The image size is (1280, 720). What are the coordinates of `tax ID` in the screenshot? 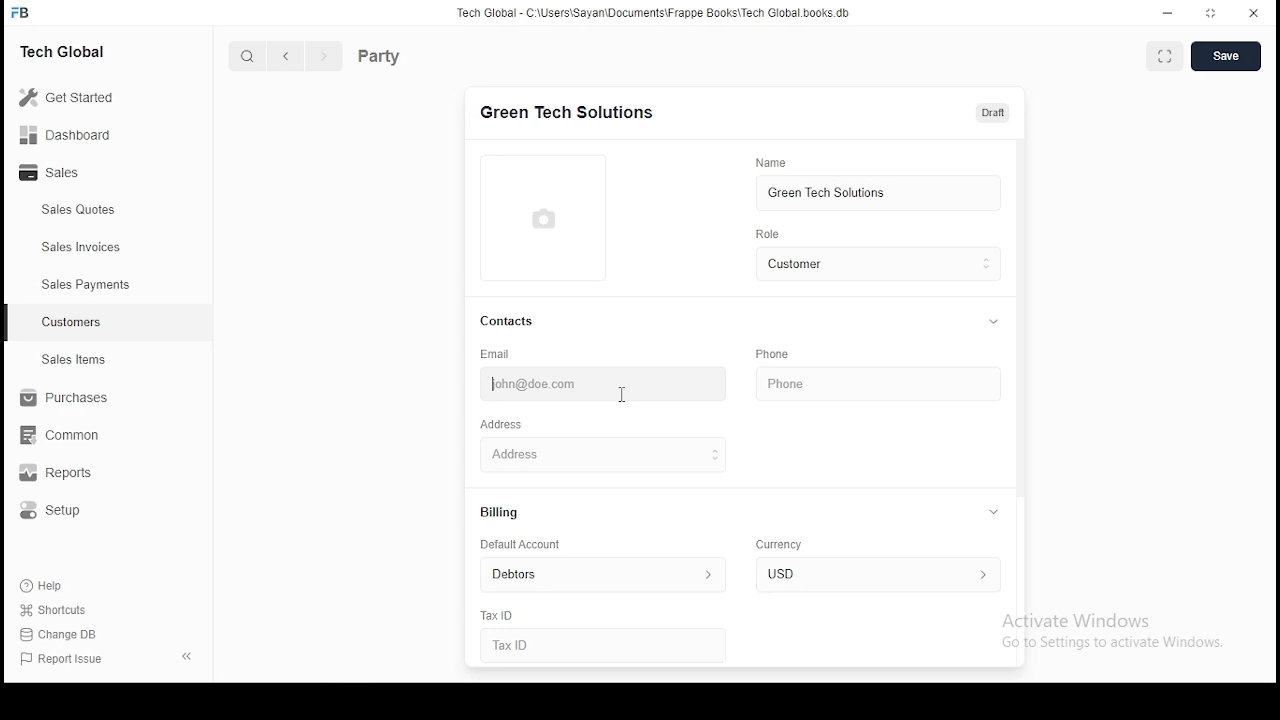 It's located at (500, 616).